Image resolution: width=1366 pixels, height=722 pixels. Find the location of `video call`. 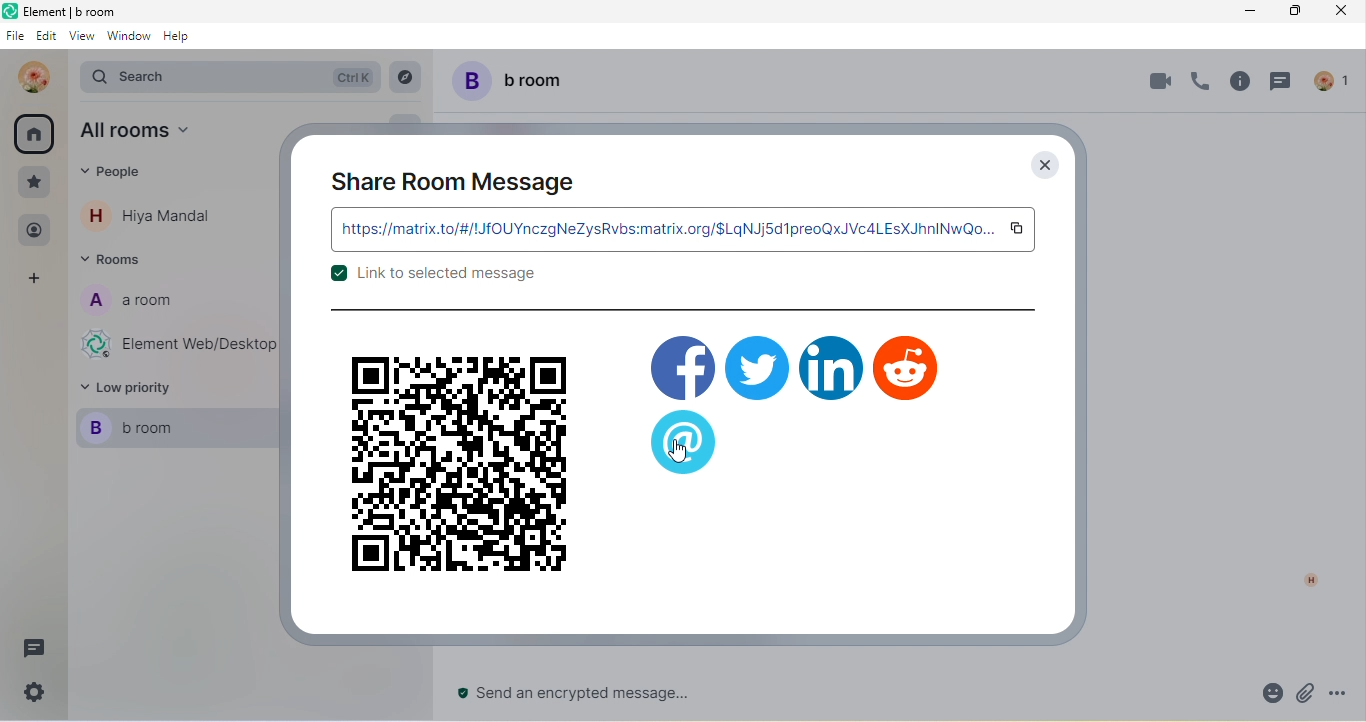

video call is located at coordinates (1156, 81).